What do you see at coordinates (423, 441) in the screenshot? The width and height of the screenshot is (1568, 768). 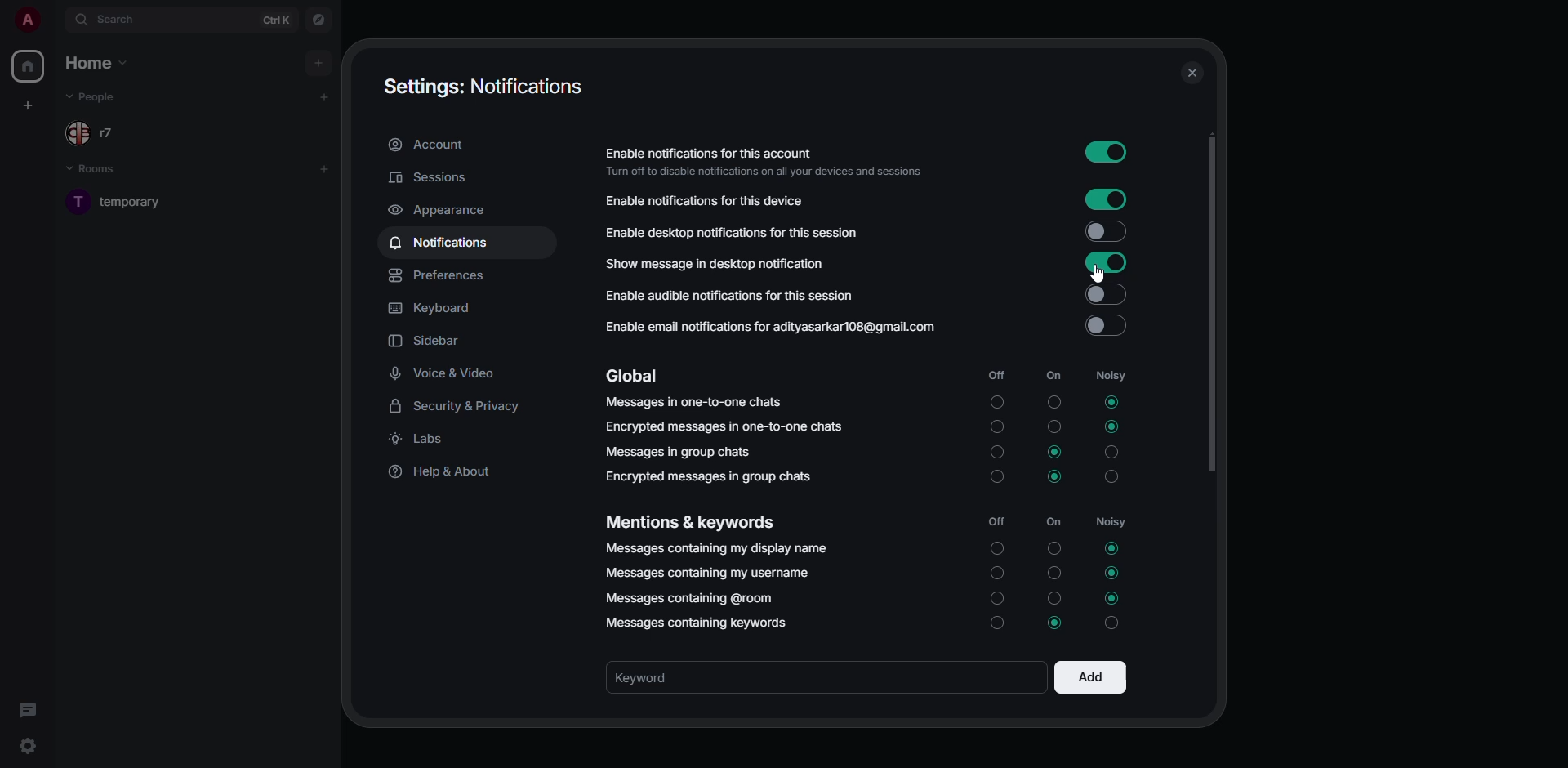 I see `labs` at bounding box center [423, 441].